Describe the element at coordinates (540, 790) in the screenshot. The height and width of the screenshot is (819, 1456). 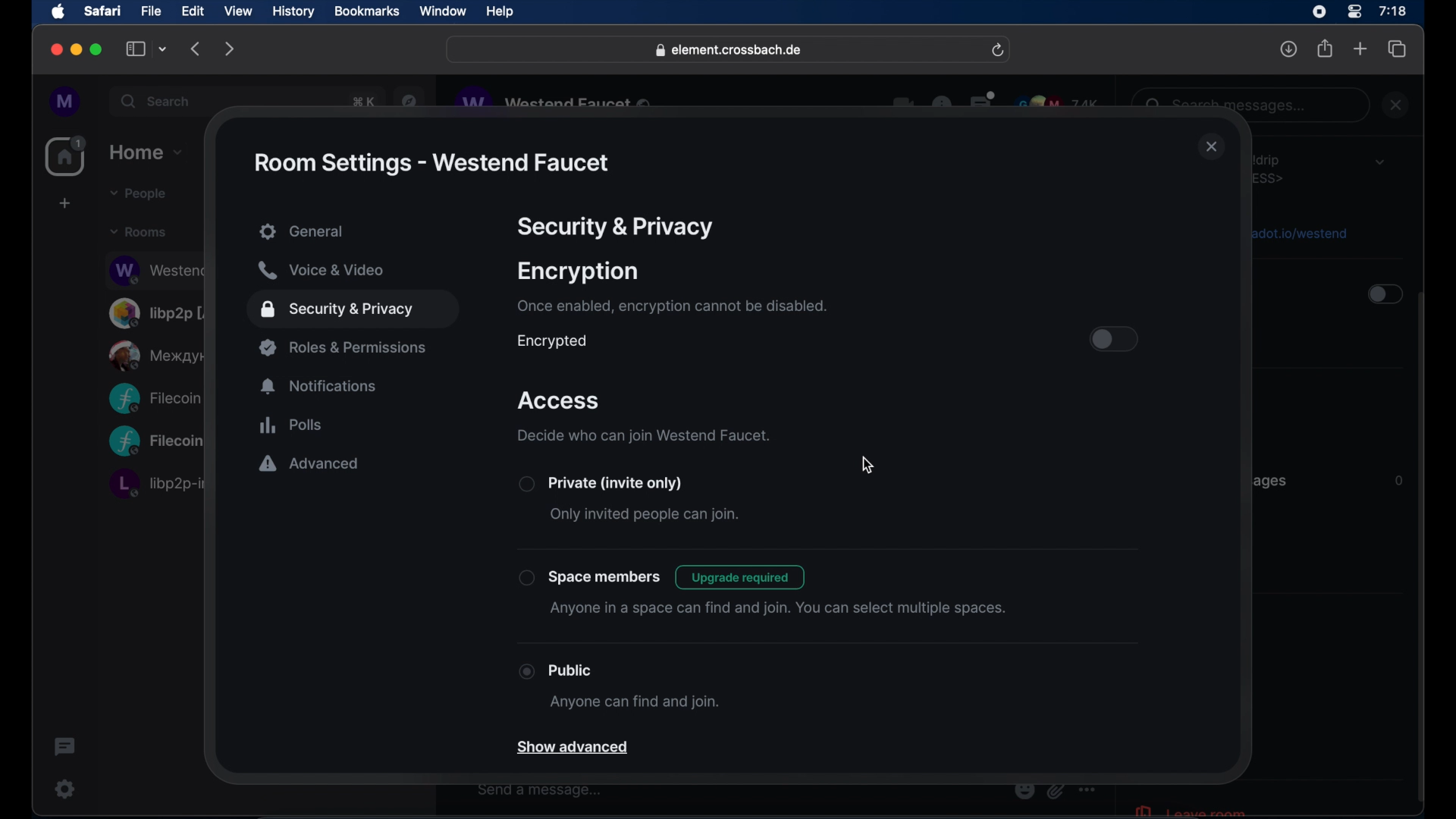
I see `send a message` at that location.